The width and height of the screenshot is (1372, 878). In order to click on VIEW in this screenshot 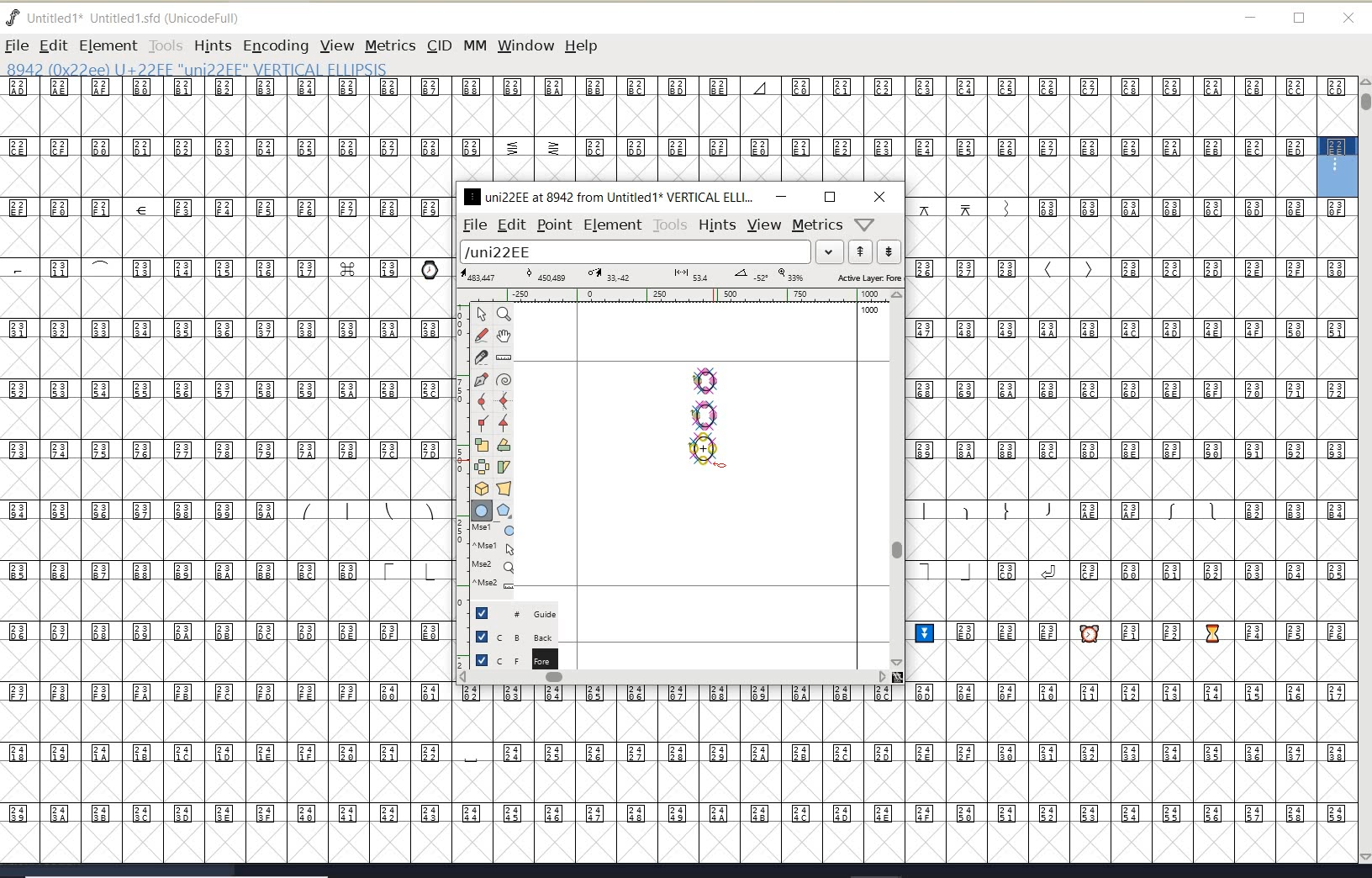, I will do `click(335, 45)`.